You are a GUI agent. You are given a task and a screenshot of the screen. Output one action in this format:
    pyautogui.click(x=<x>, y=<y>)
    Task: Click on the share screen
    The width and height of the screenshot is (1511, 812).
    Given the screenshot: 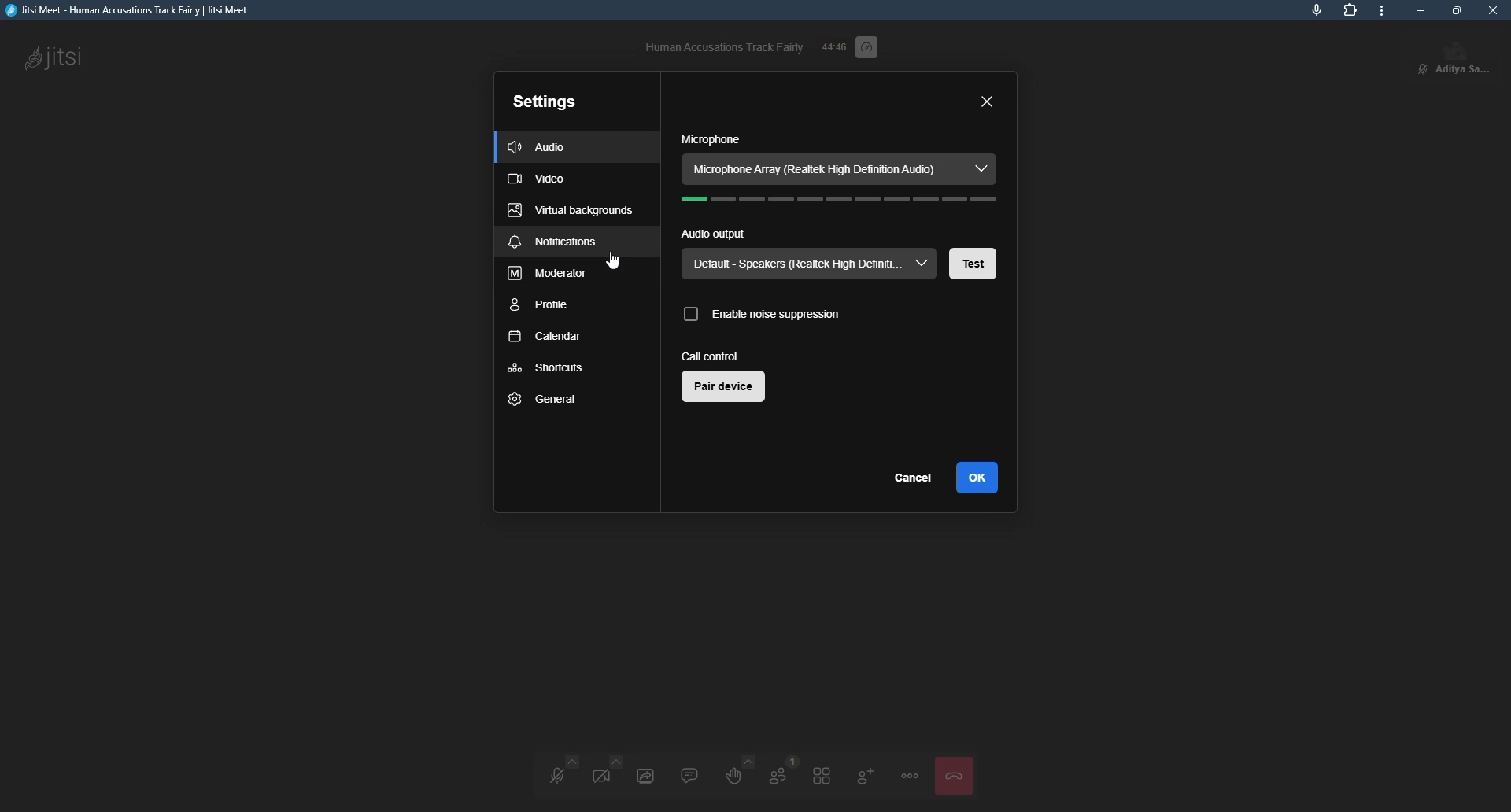 What is the action you would take?
    pyautogui.click(x=644, y=775)
    